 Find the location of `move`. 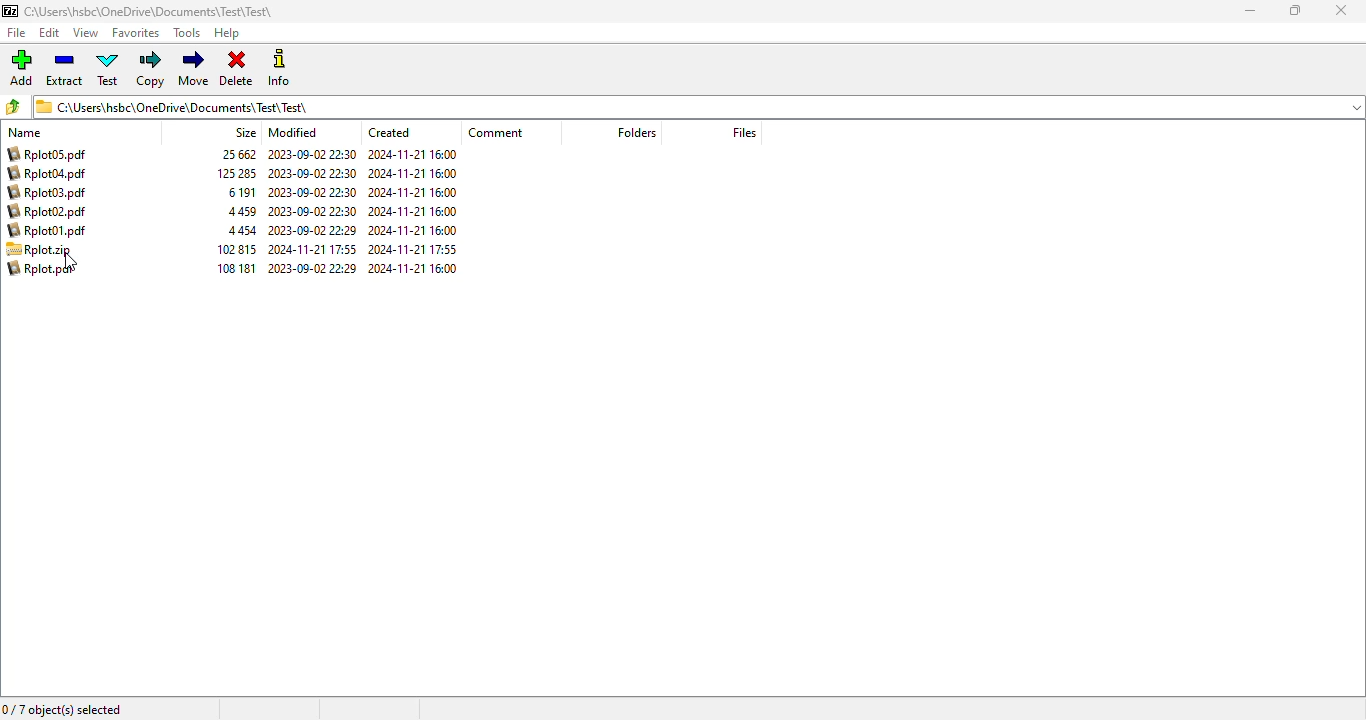

move is located at coordinates (194, 67).